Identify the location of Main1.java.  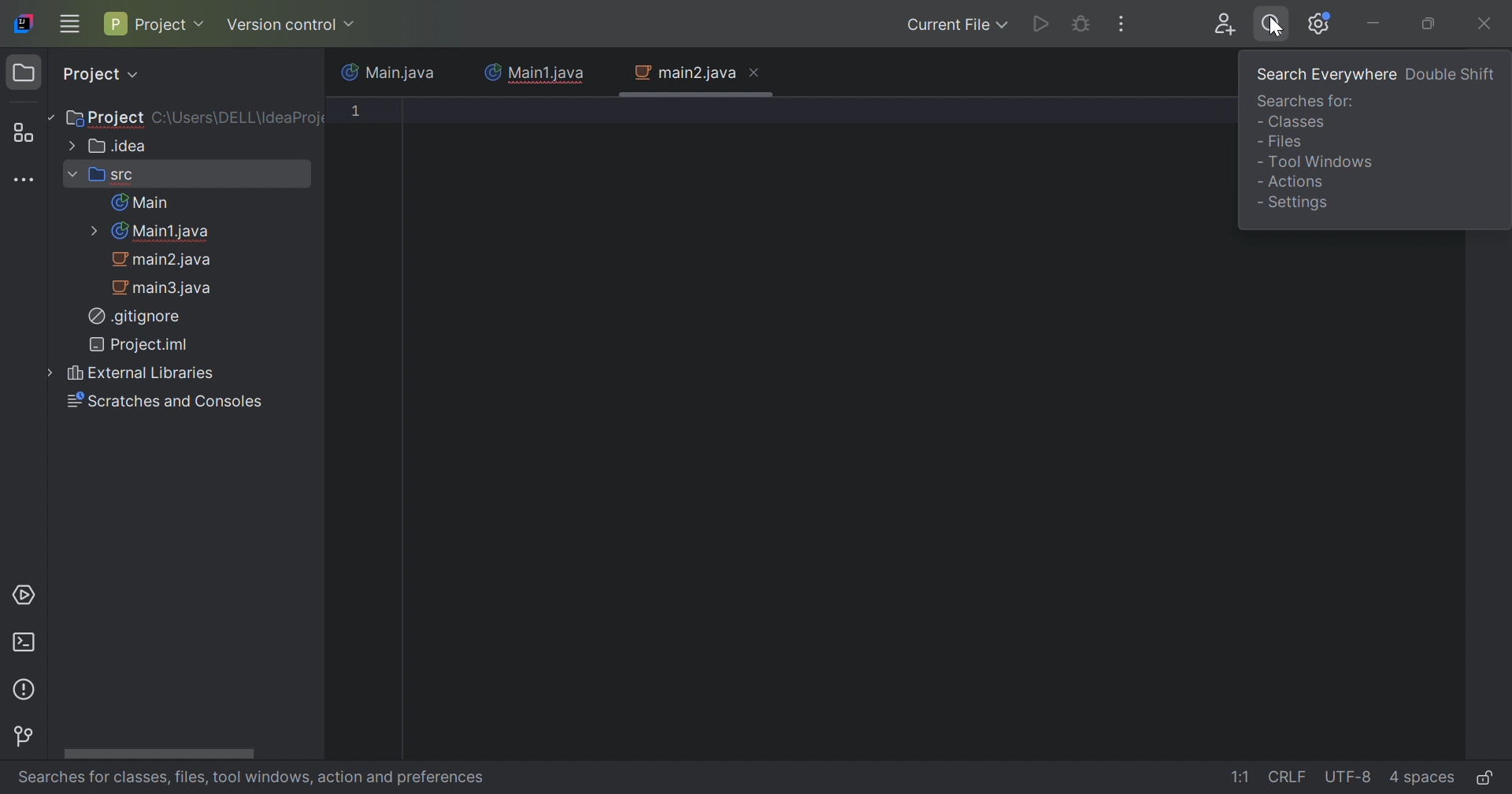
(149, 232).